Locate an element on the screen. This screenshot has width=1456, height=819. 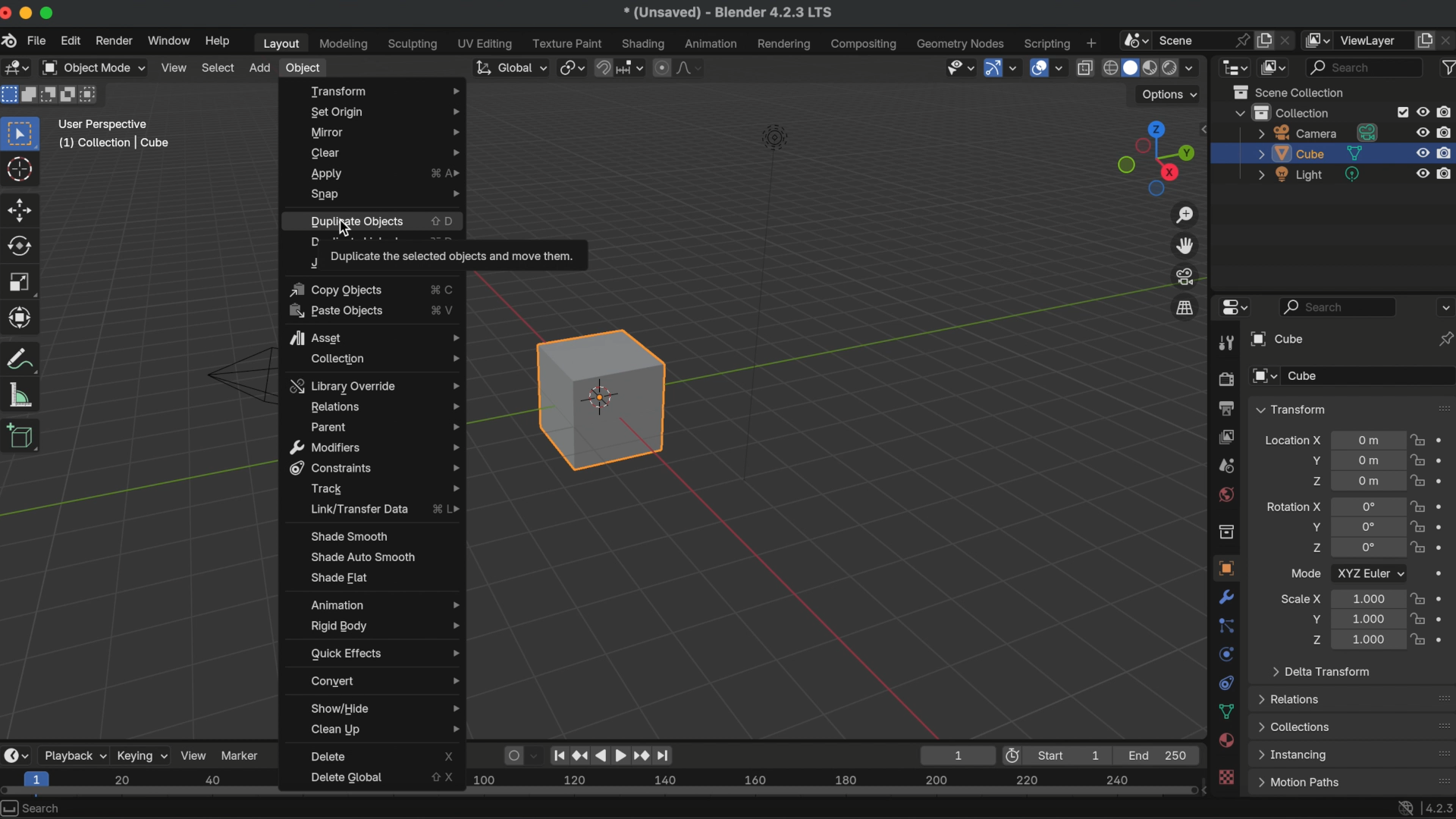
jumpt to keyframe is located at coordinates (641, 755).